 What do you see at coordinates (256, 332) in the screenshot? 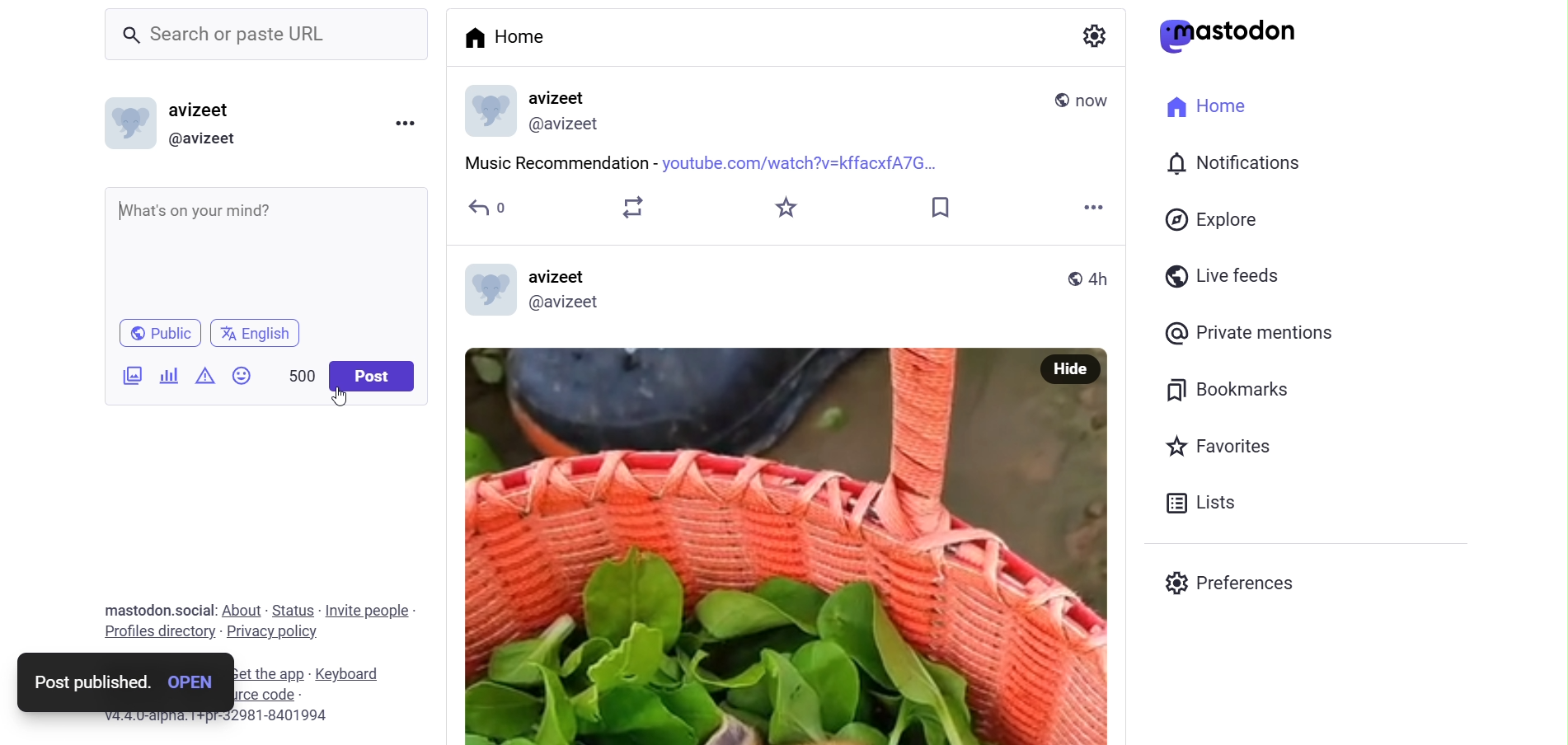
I see `english` at bounding box center [256, 332].